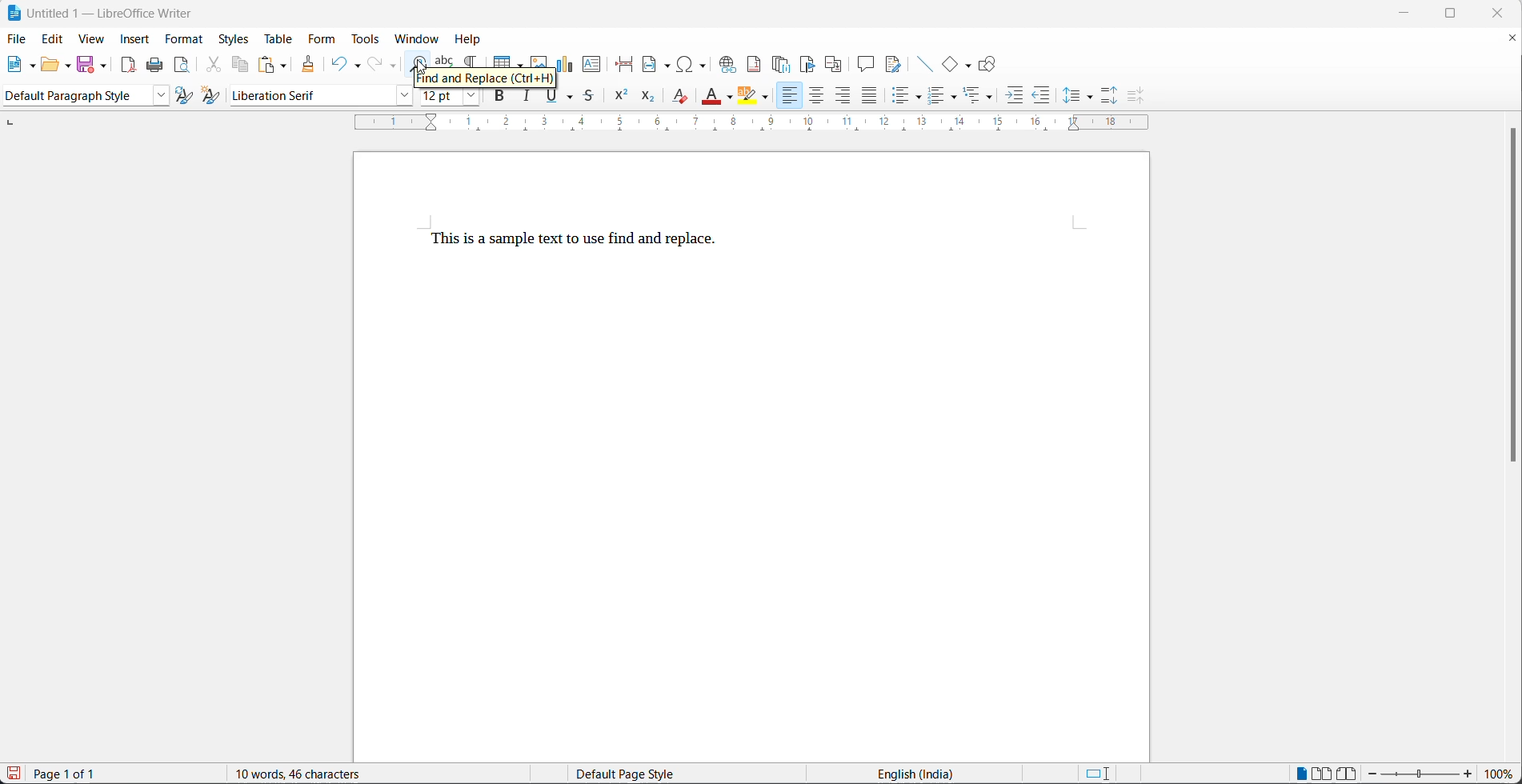  What do you see at coordinates (18, 38) in the screenshot?
I see `file` at bounding box center [18, 38].